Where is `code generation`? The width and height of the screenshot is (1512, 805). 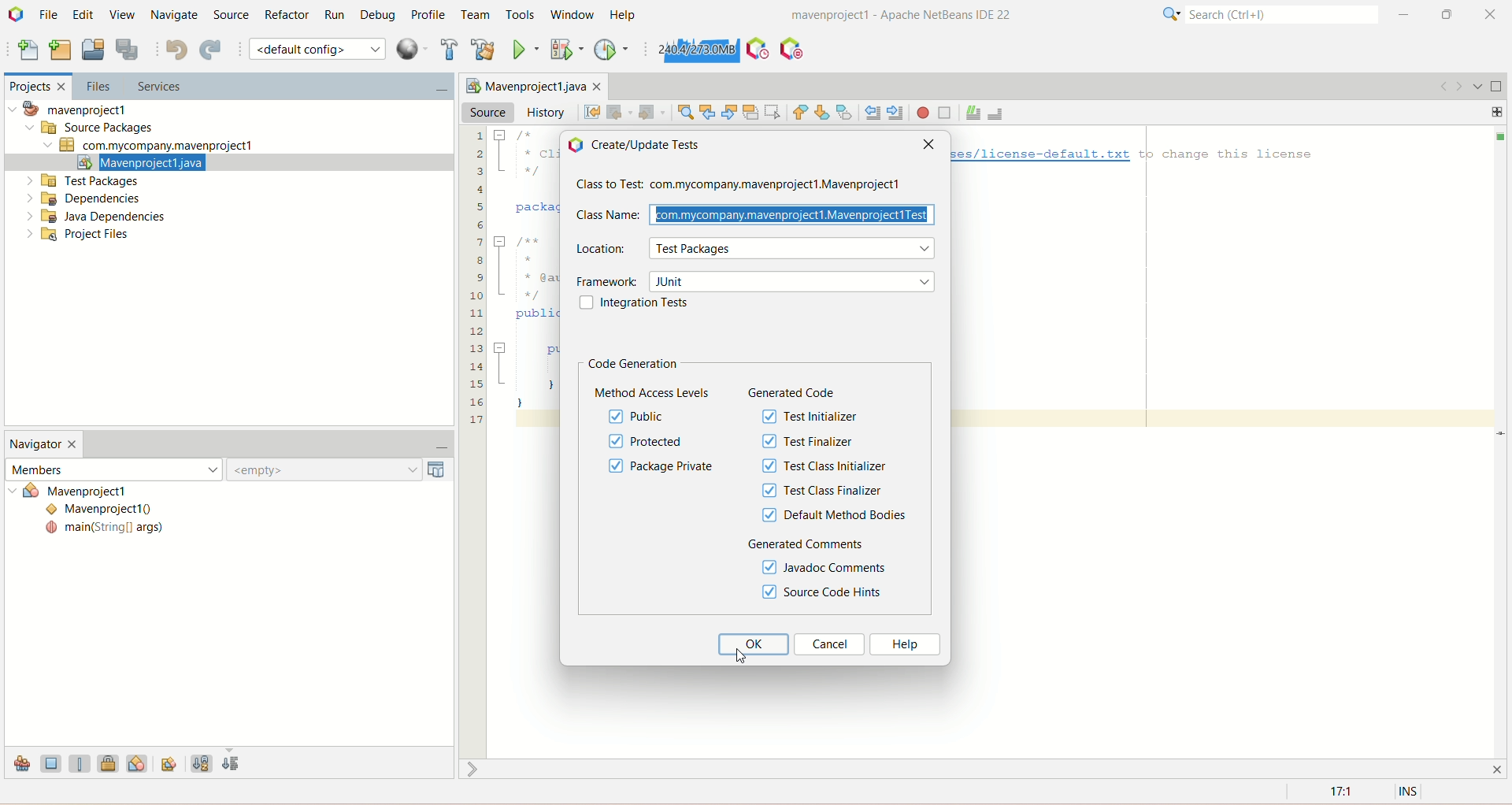 code generation is located at coordinates (635, 362).